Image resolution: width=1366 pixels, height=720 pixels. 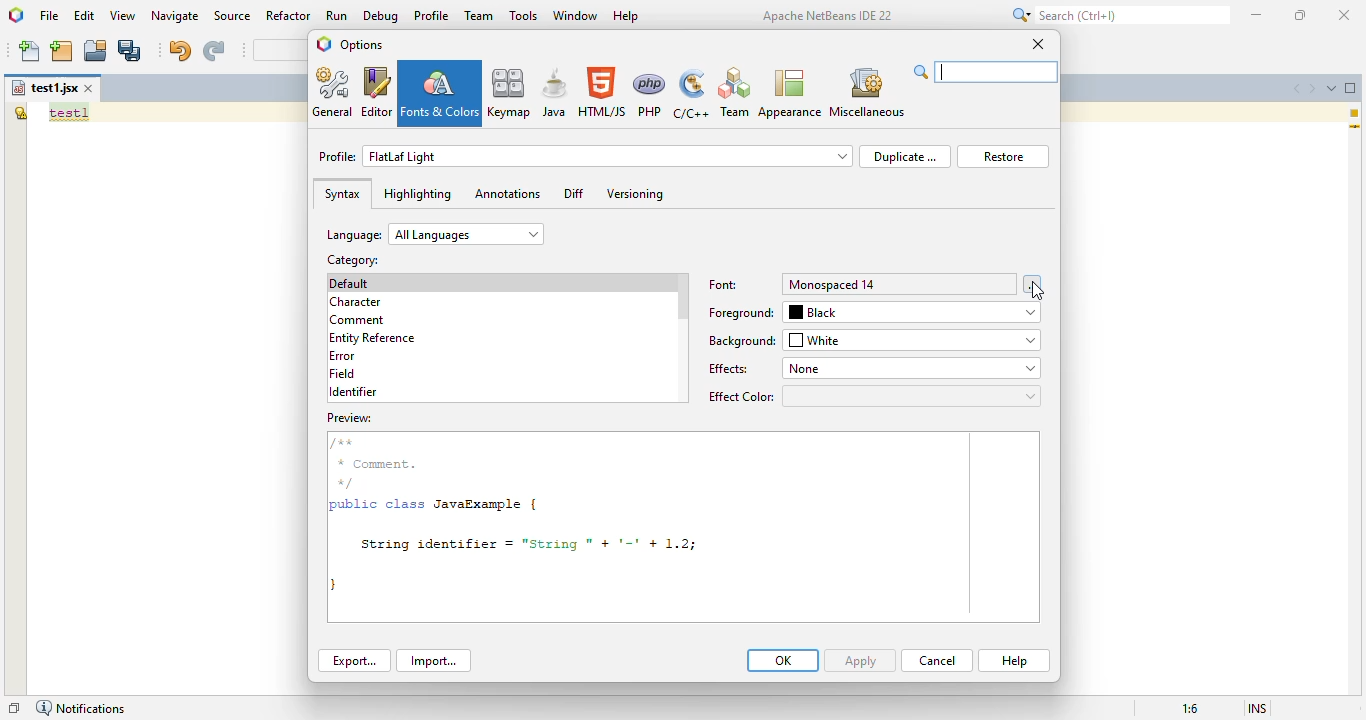 I want to click on }, so click(x=339, y=584).